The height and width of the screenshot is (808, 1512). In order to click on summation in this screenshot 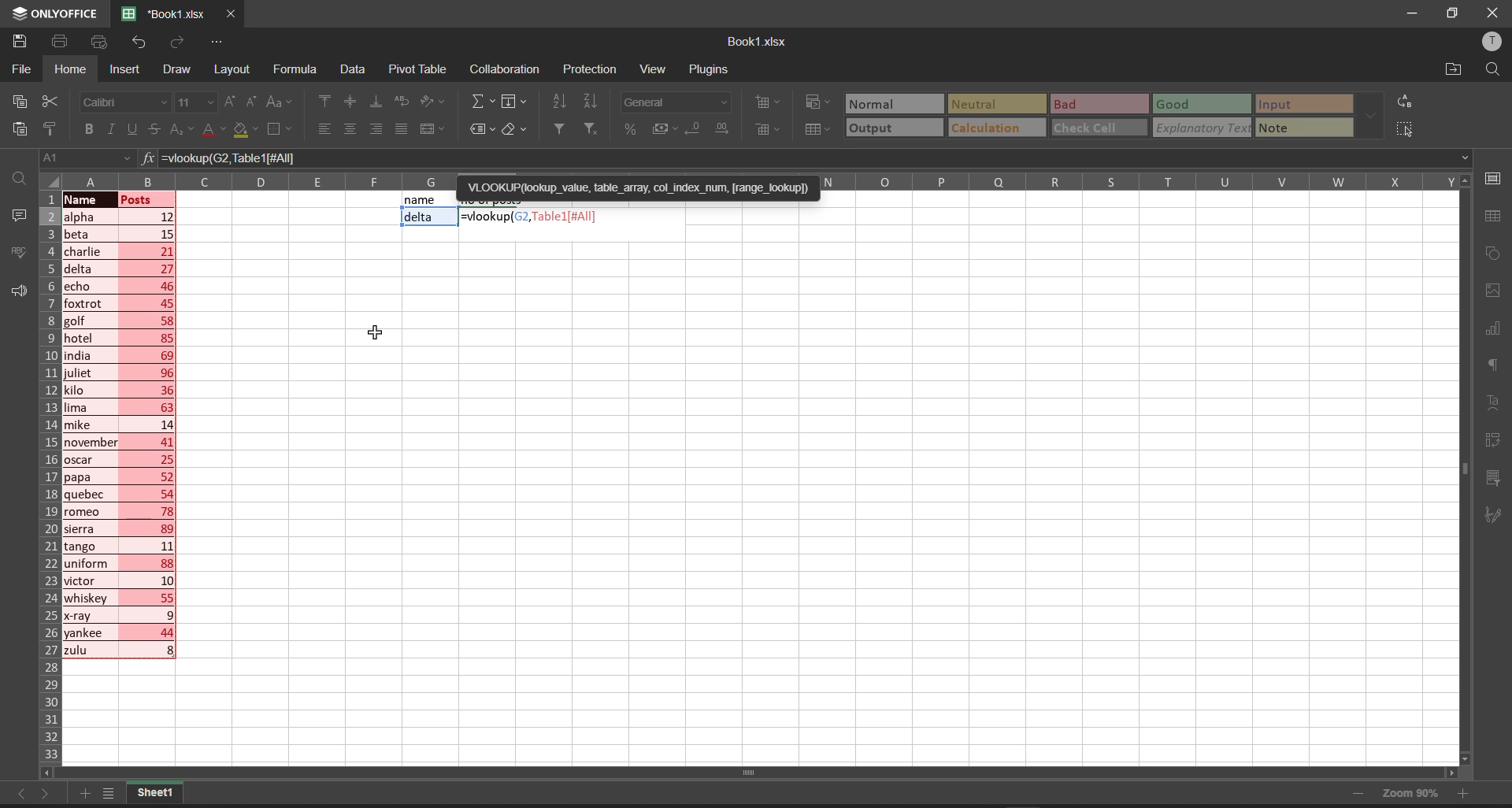, I will do `click(480, 102)`.